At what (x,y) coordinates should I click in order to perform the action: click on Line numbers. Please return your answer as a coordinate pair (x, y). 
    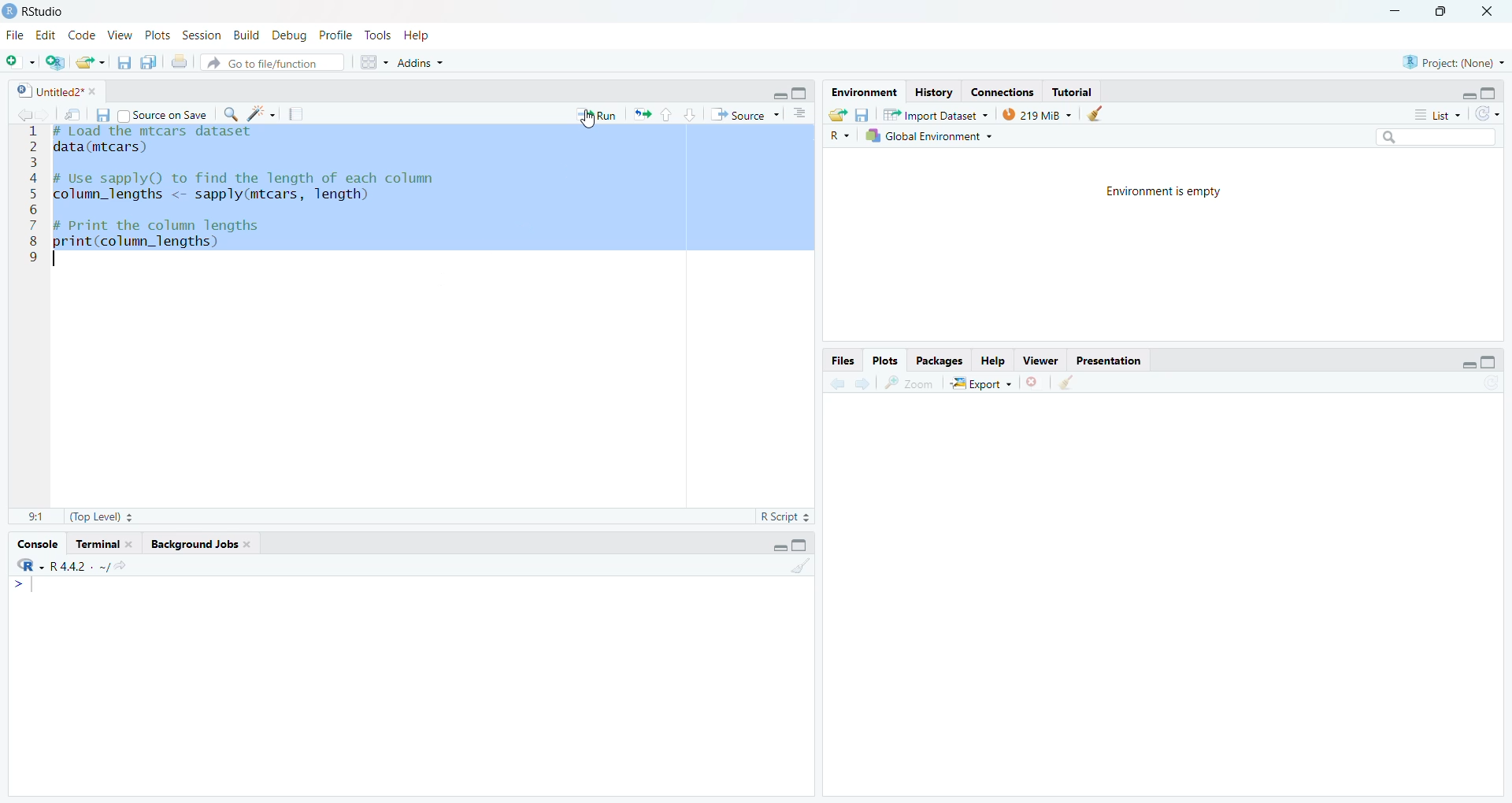
    Looking at the image, I should click on (28, 196).